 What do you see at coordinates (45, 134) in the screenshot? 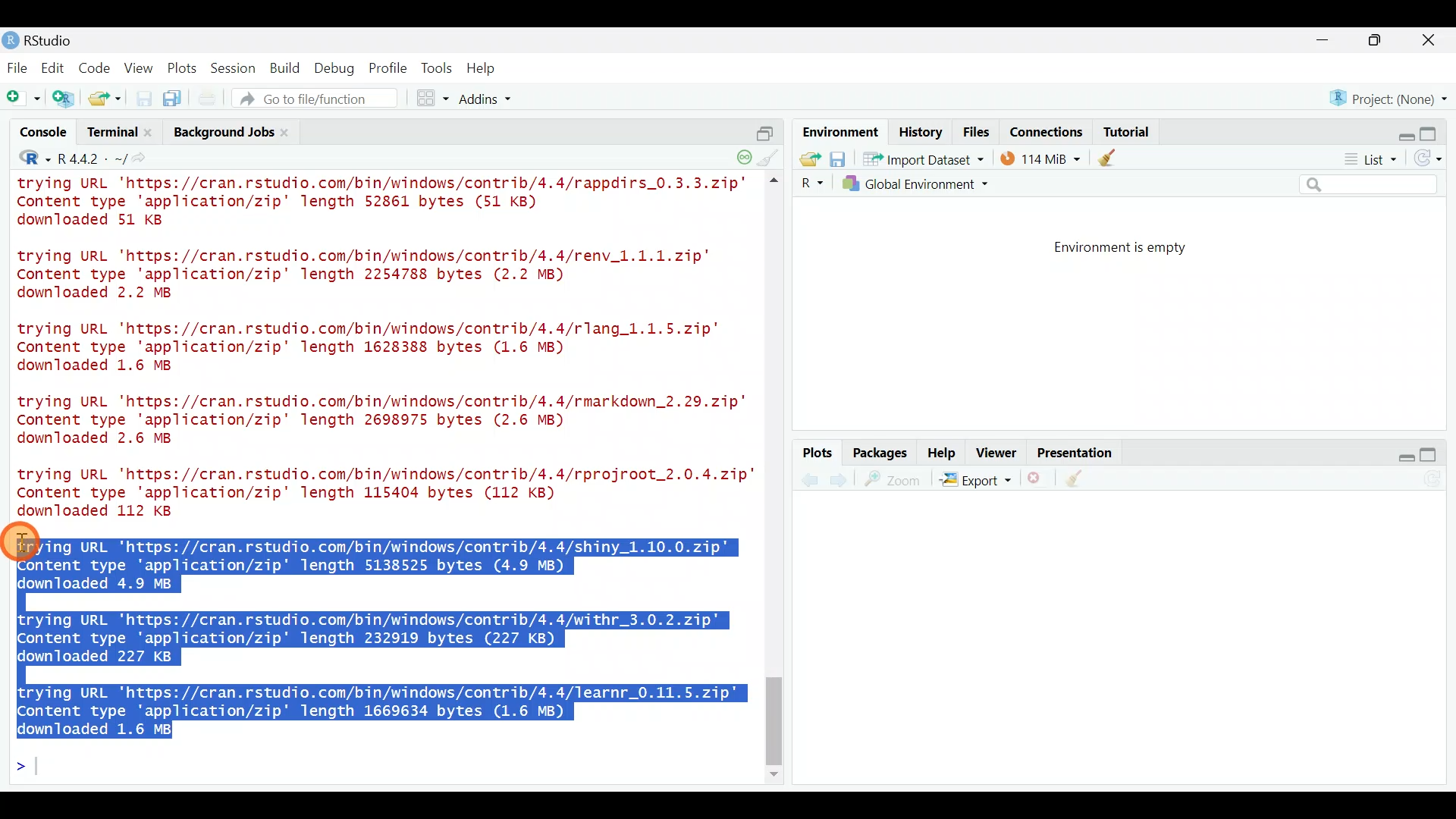
I see `Console` at bounding box center [45, 134].